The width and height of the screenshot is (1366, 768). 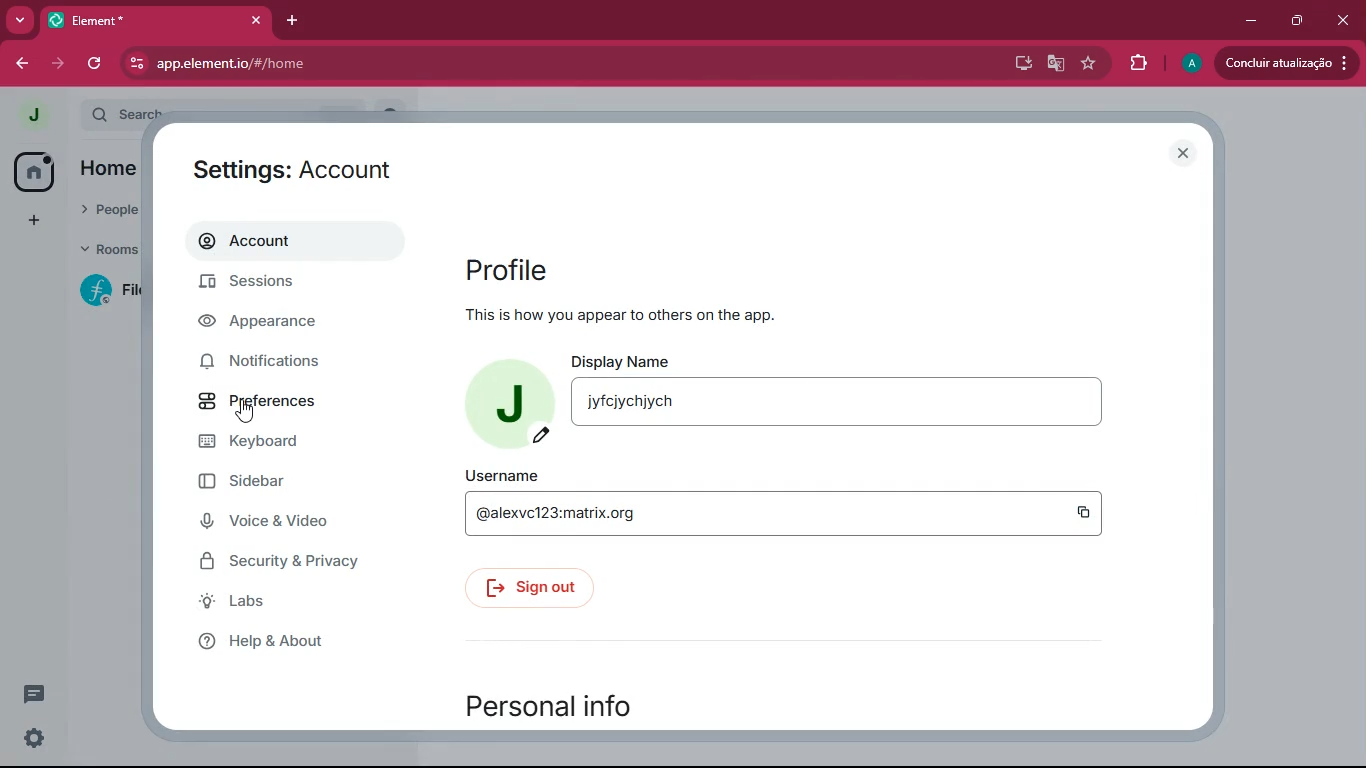 What do you see at coordinates (495, 65) in the screenshot?
I see `app.element.io/#/home` at bounding box center [495, 65].